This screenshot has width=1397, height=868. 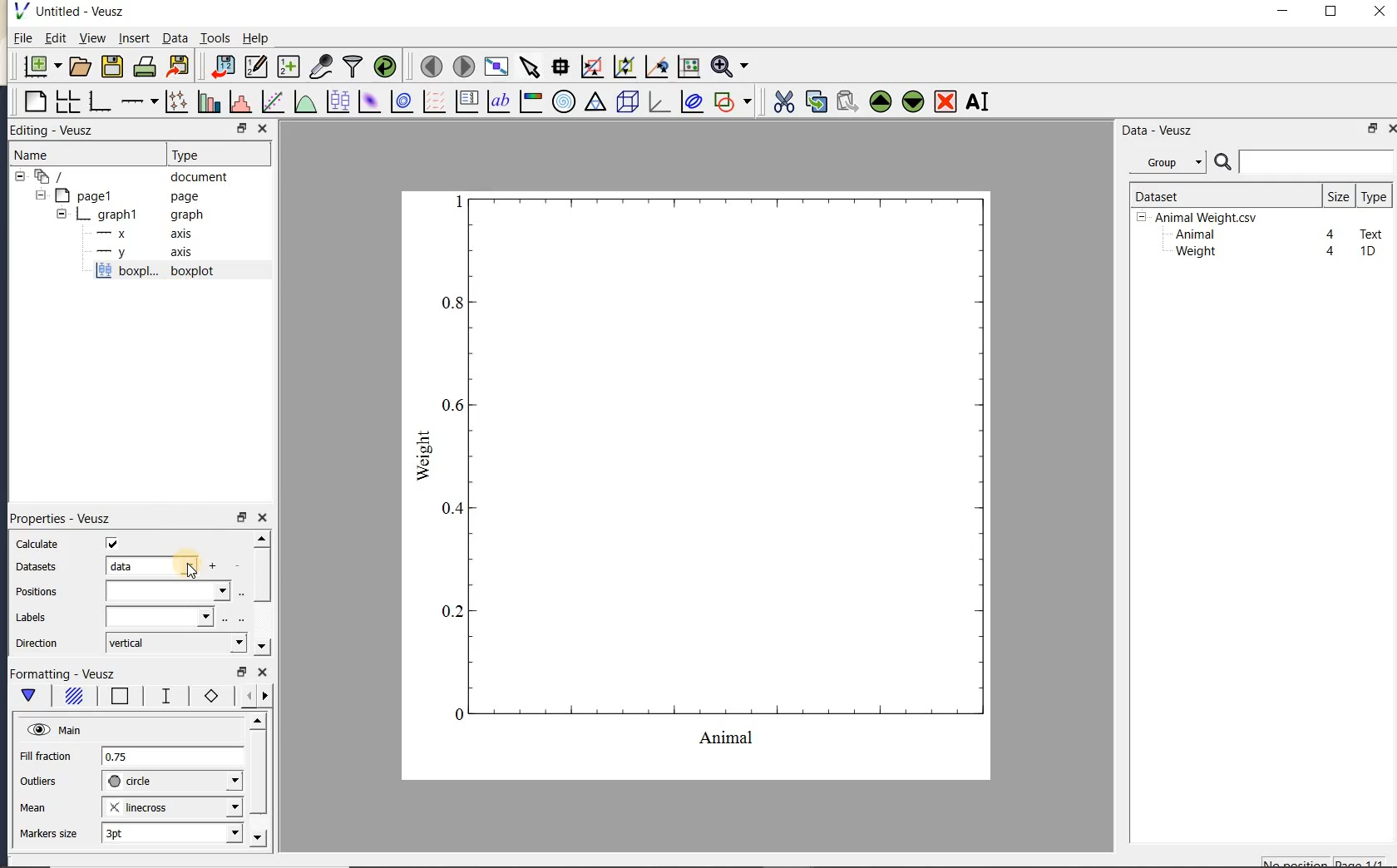 I want to click on move the selected widget down, so click(x=913, y=101).